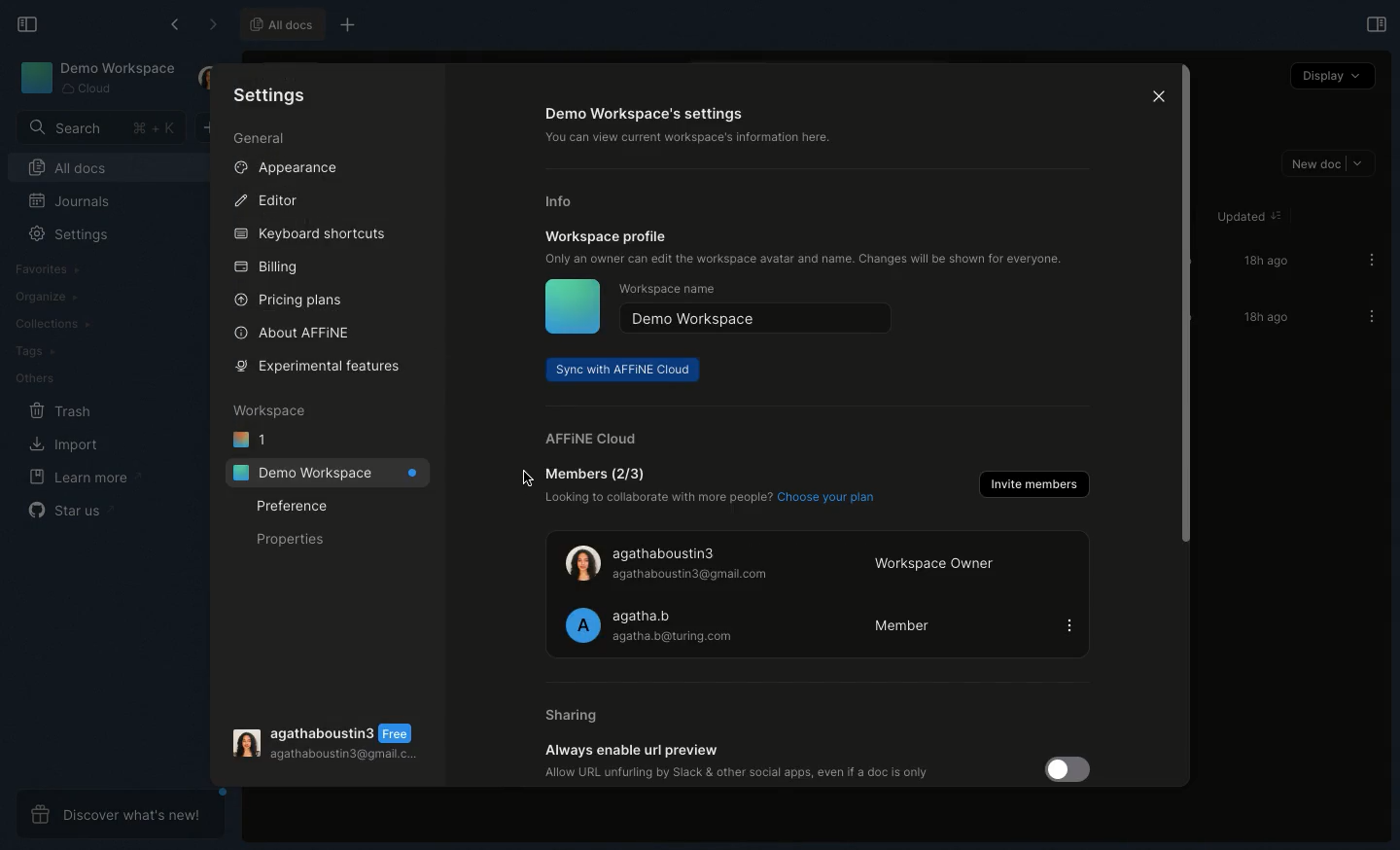 The height and width of the screenshot is (850, 1400). Describe the element at coordinates (311, 233) in the screenshot. I see `Keyboard shortcuts` at that location.